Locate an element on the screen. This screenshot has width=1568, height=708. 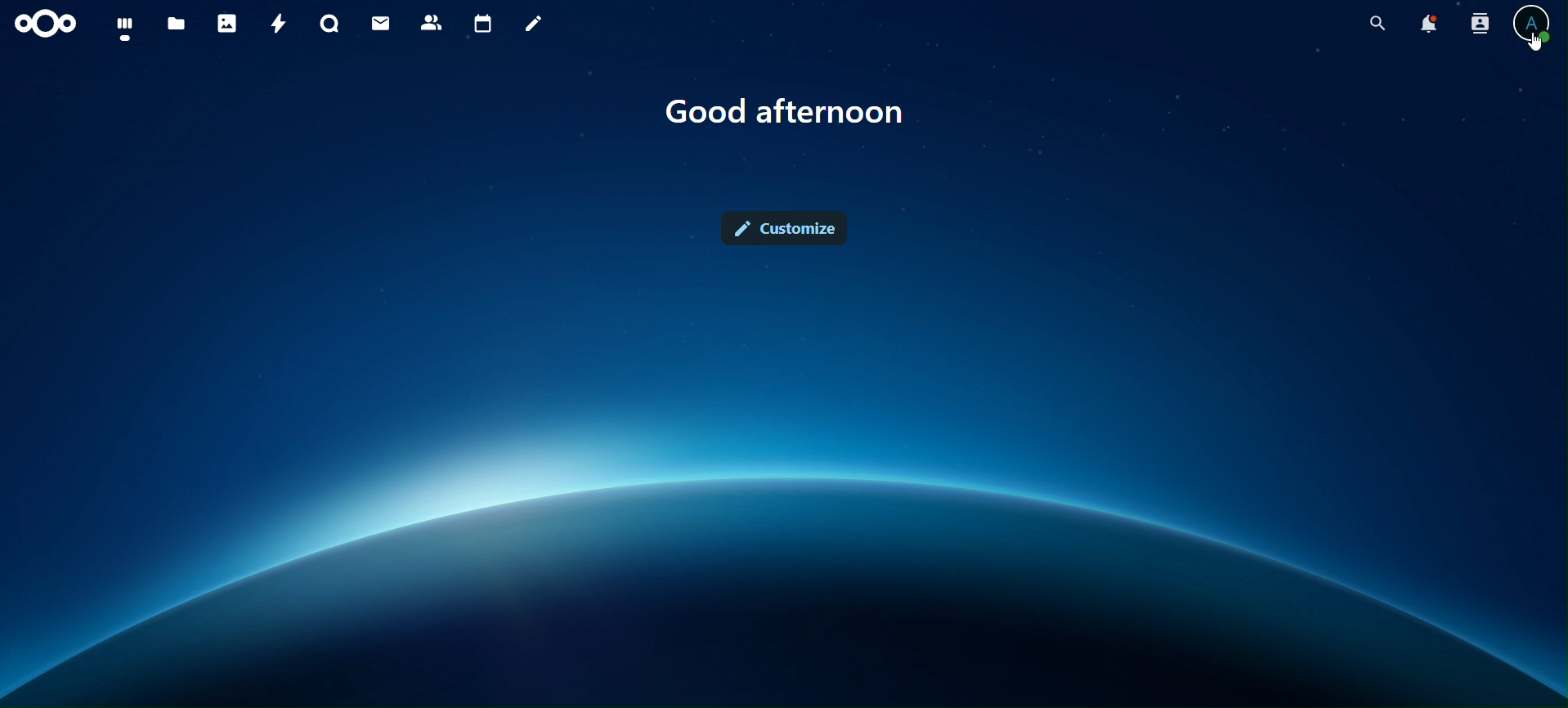
talk is located at coordinates (329, 24).